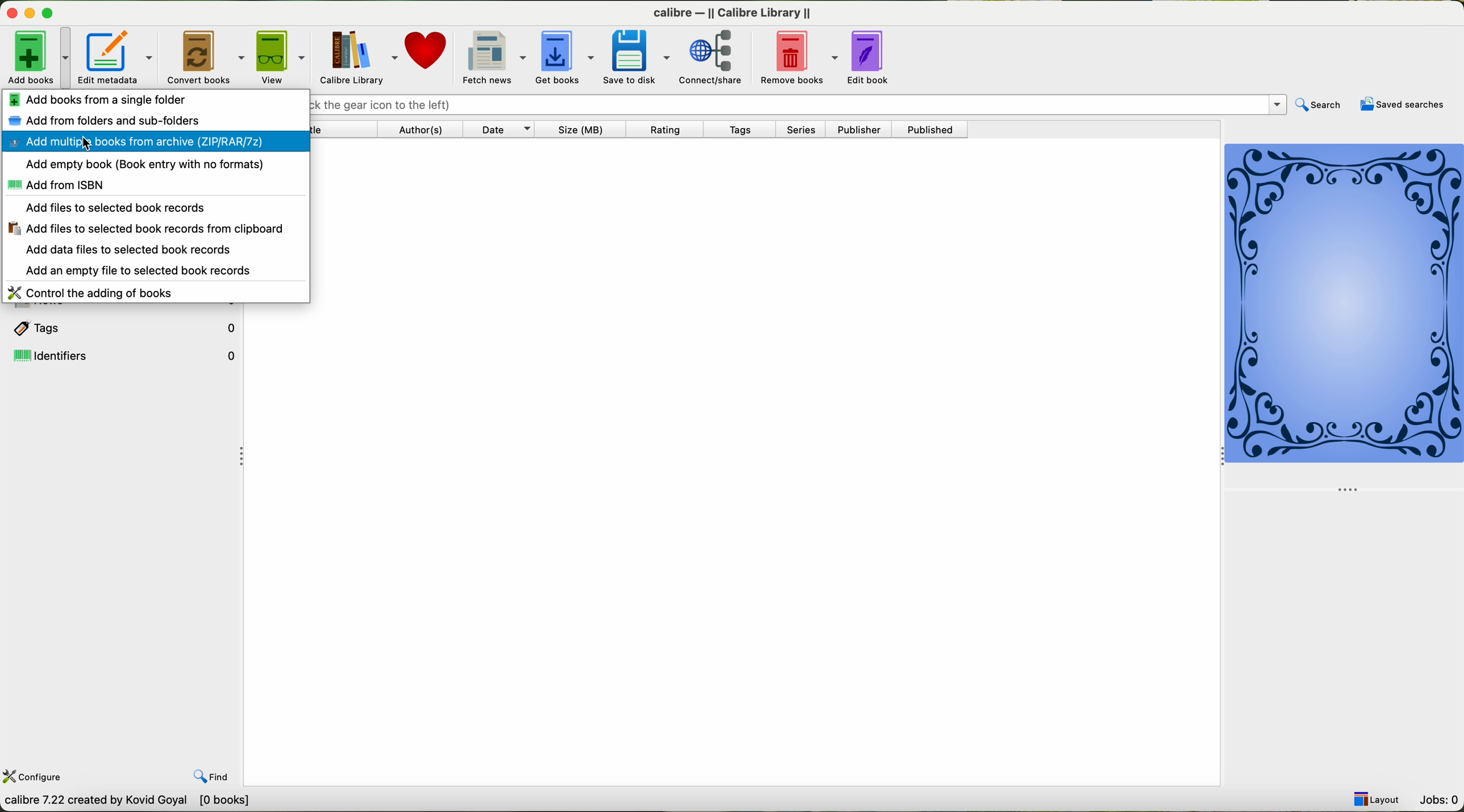 The width and height of the screenshot is (1464, 812). Describe the element at coordinates (125, 355) in the screenshot. I see `identifiers` at that location.